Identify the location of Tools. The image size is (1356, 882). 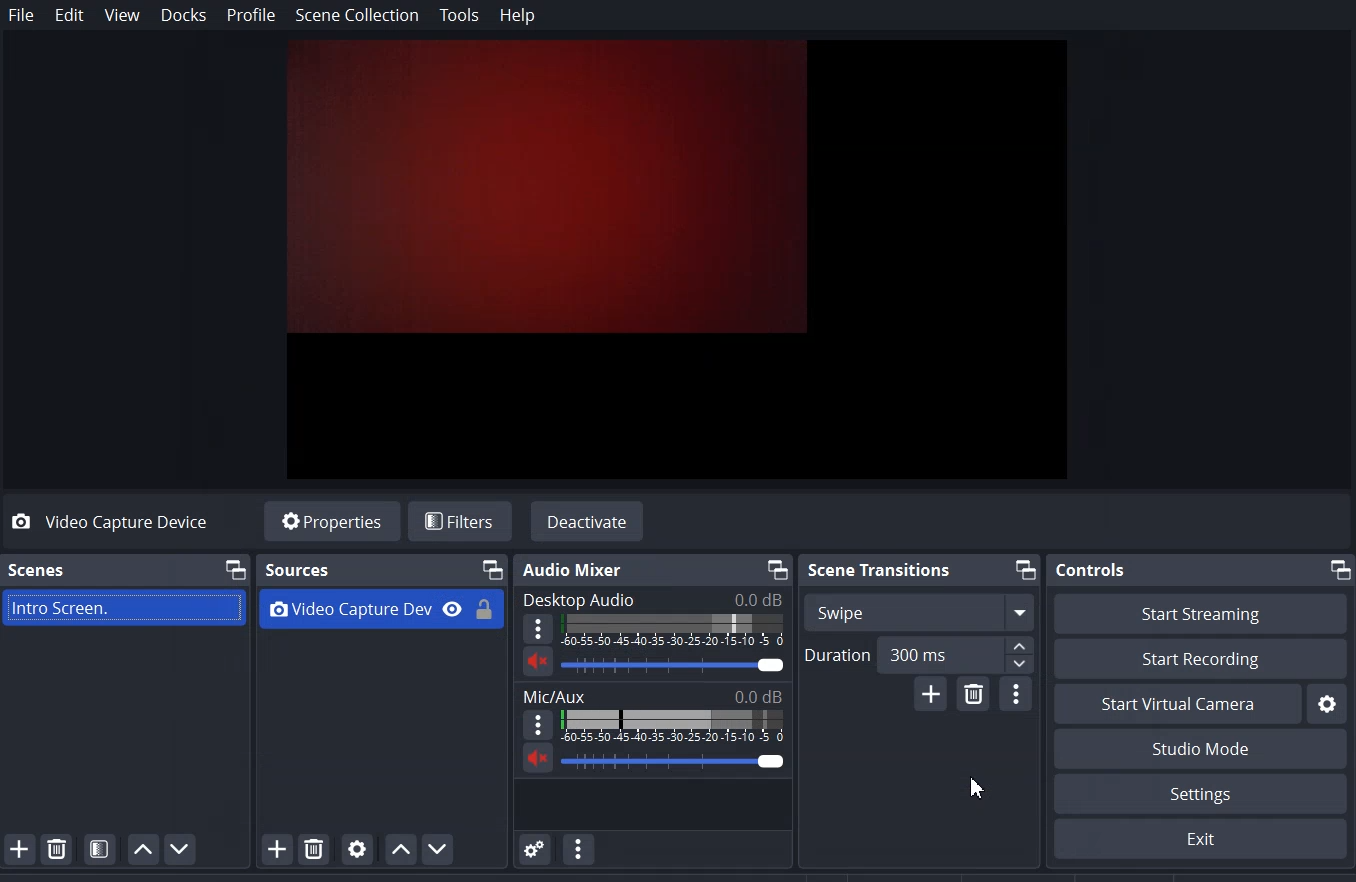
(459, 16).